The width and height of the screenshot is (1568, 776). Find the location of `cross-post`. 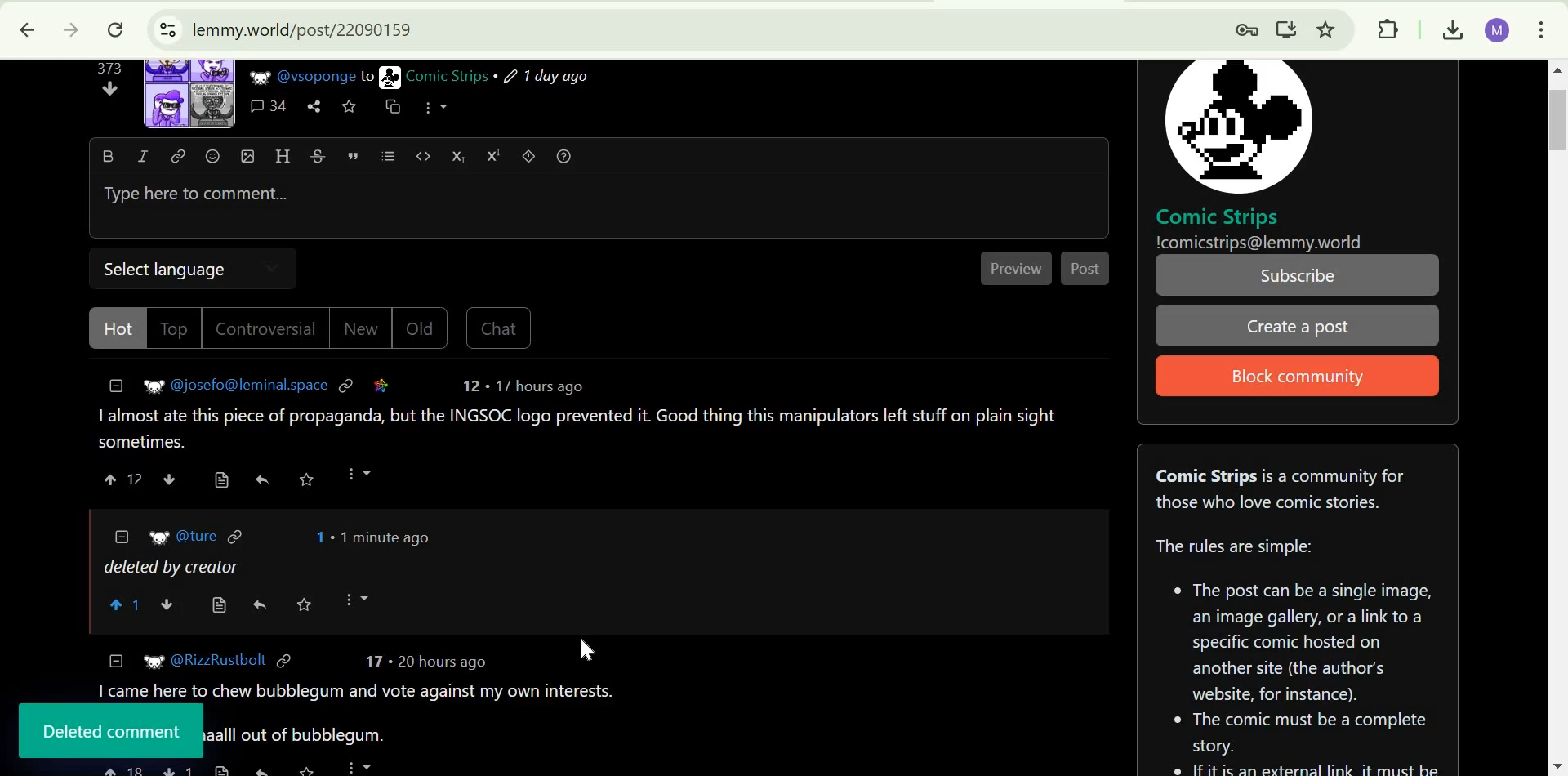

cross-post is located at coordinates (391, 105).